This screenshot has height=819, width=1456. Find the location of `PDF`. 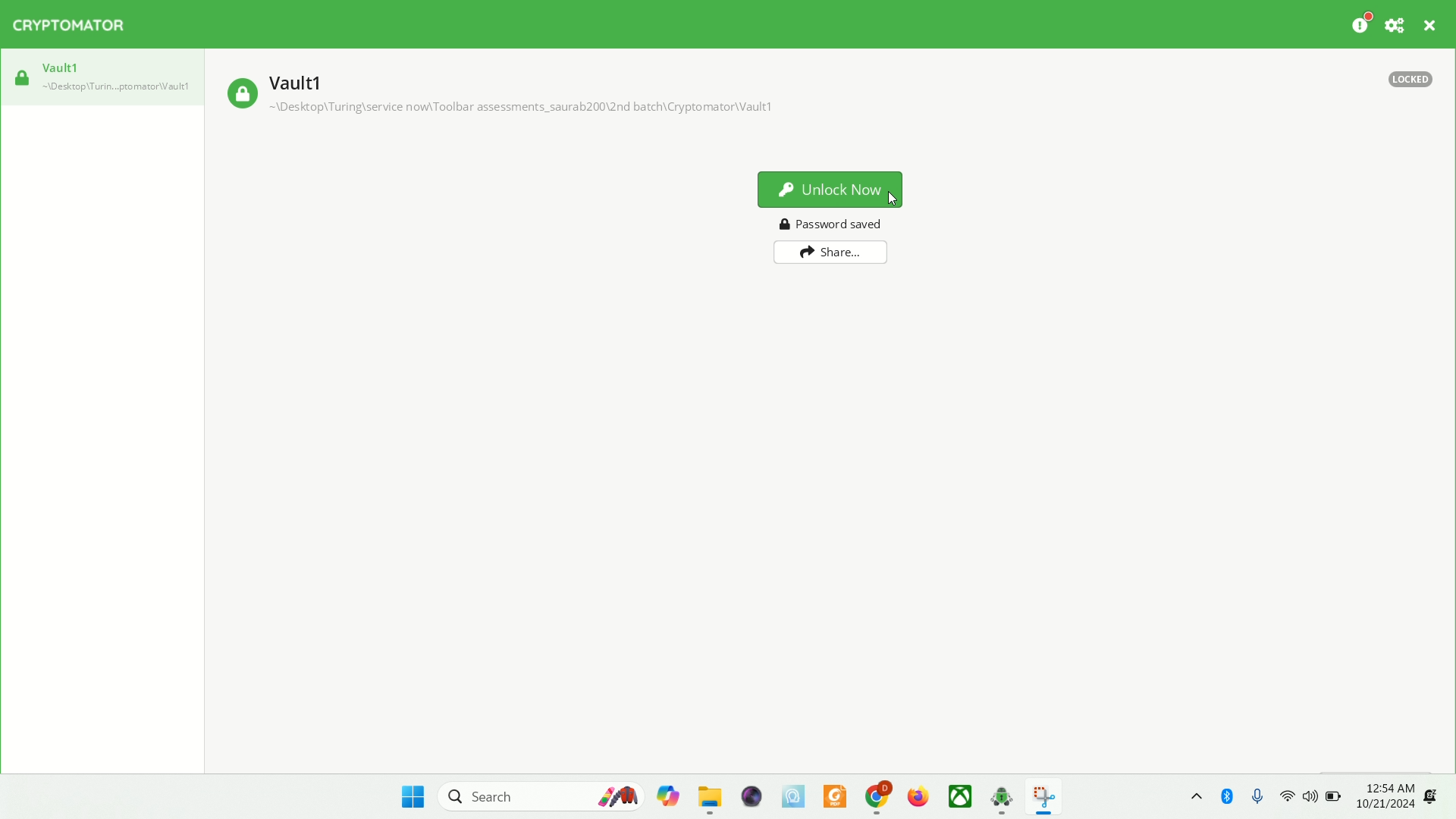

PDF is located at coordinates (833, 795).